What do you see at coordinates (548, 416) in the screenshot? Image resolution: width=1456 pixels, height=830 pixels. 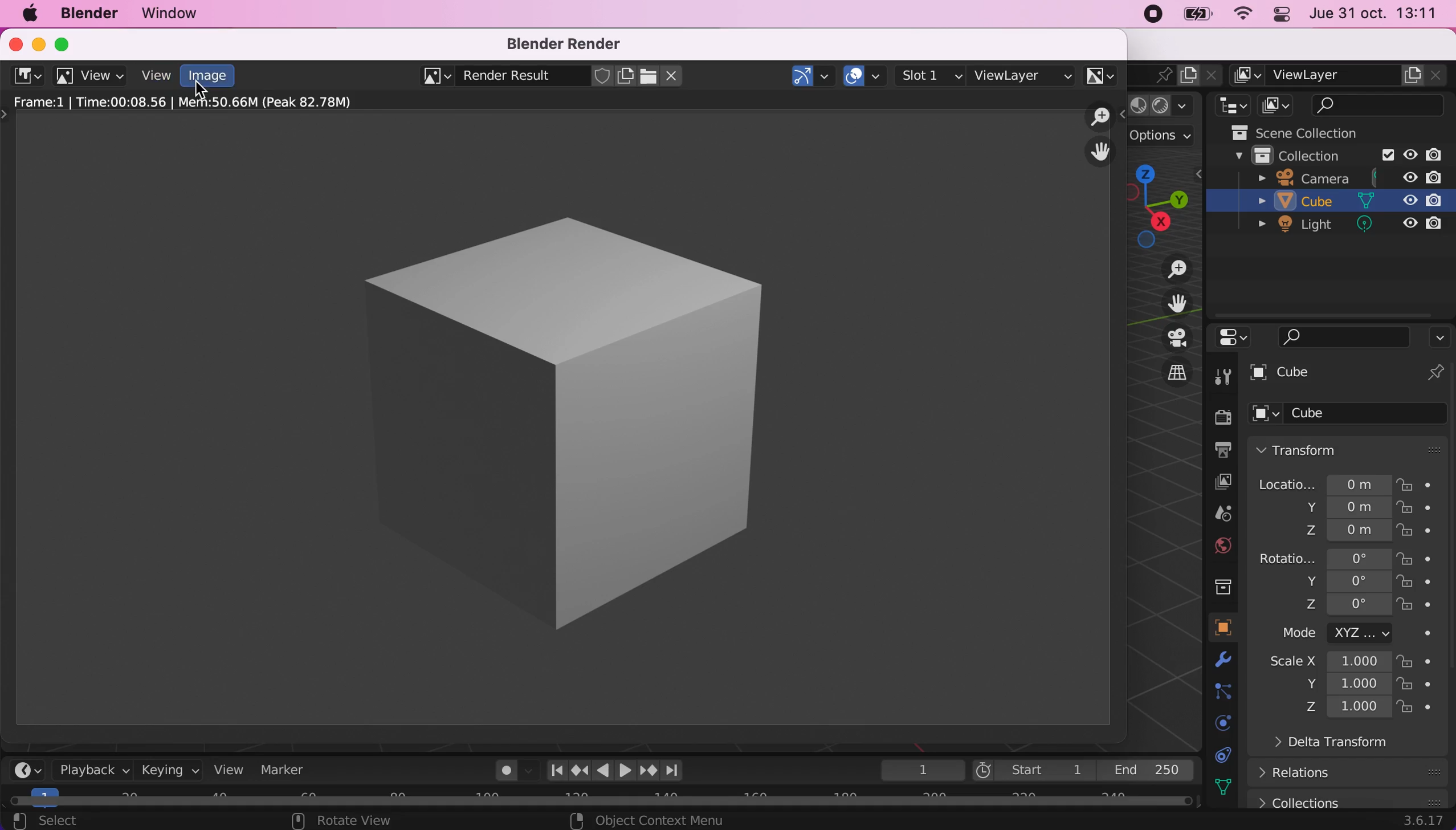 I see `exported image` at bounding box center [548, 416].